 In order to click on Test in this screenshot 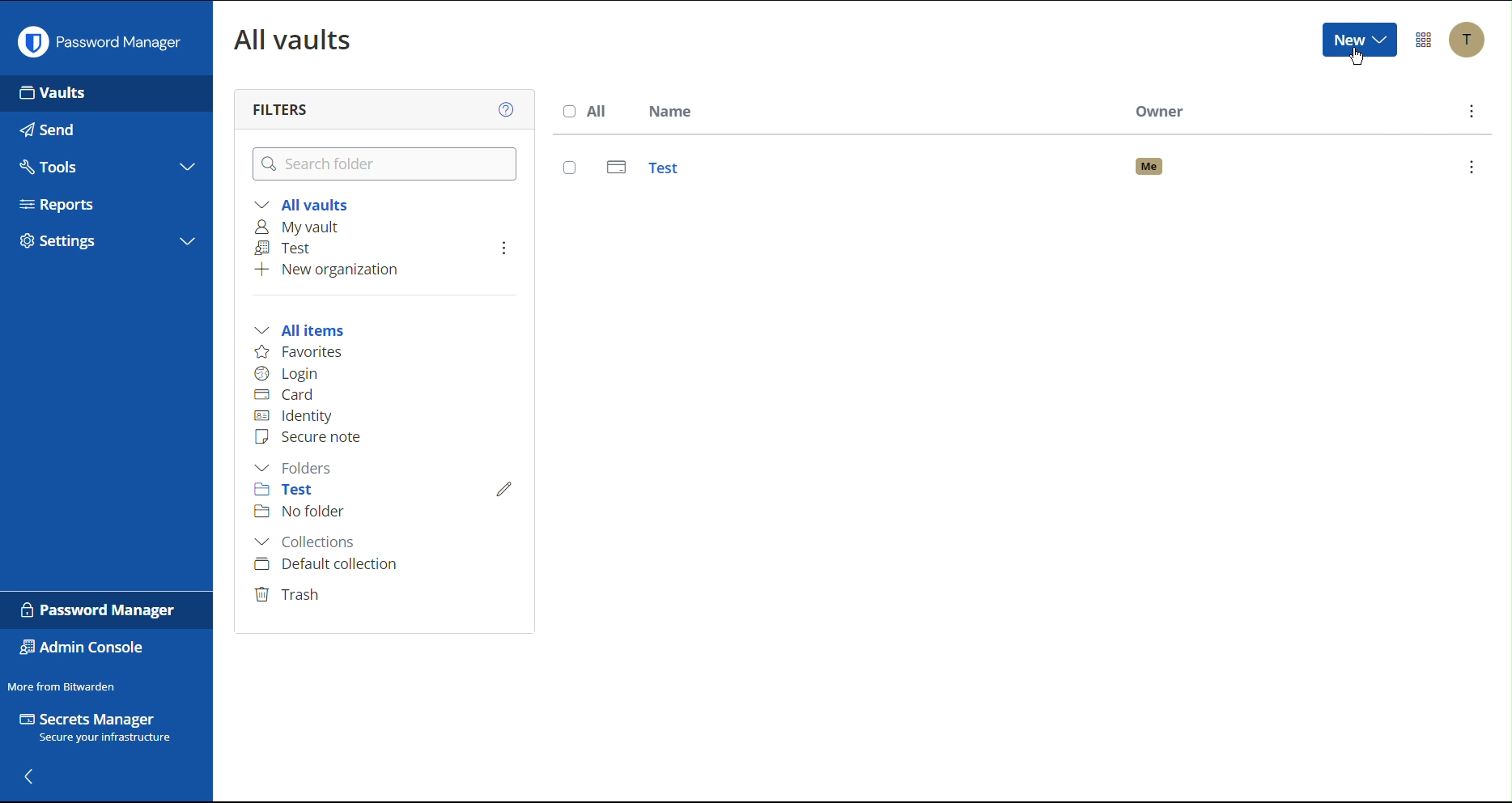, I will do `click(295, 492)`.